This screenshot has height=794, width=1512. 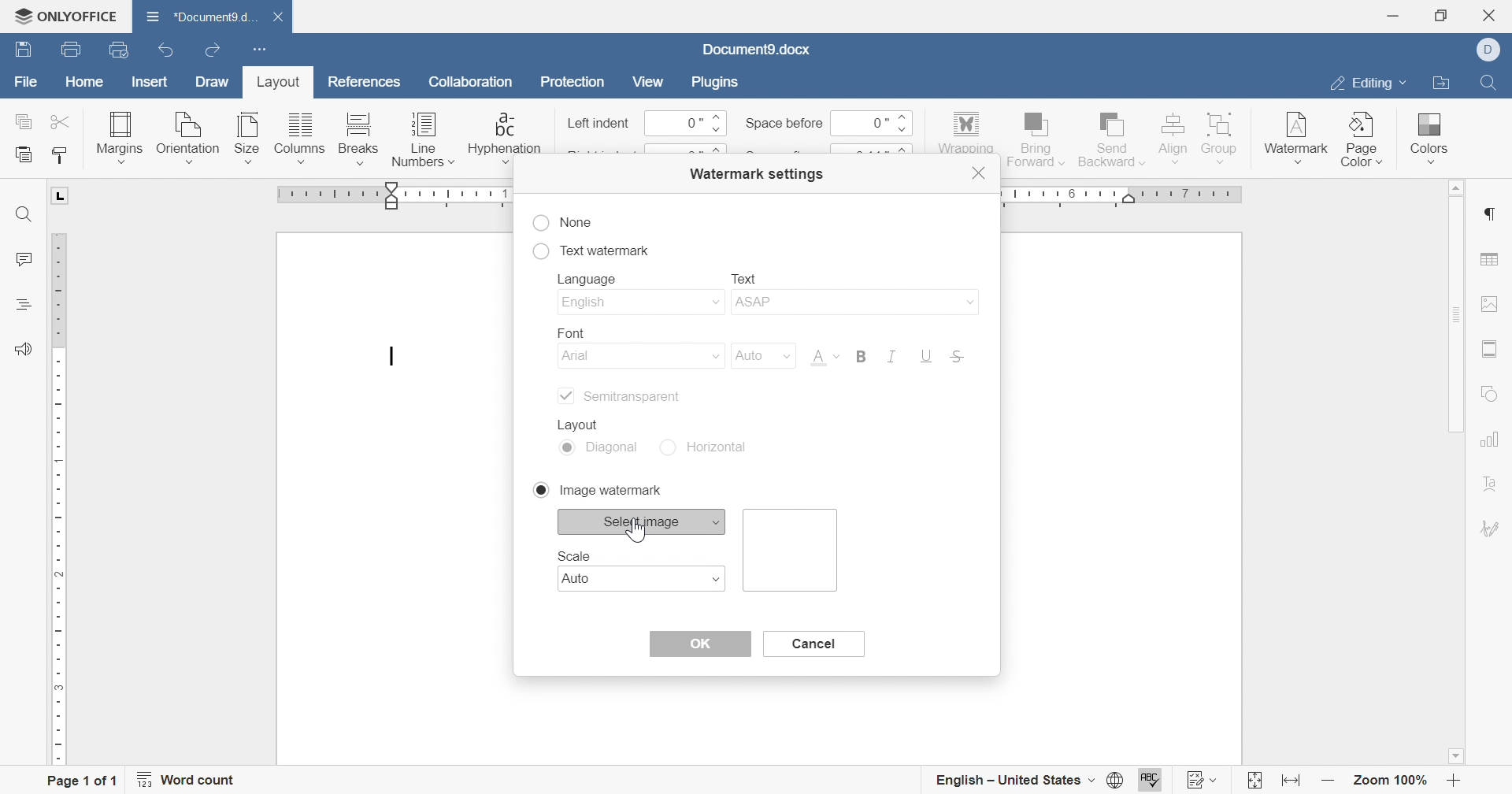 What do you see at coordinates (286, 18) in the screenshot?
I see `close` at bounding box center [286, 18].